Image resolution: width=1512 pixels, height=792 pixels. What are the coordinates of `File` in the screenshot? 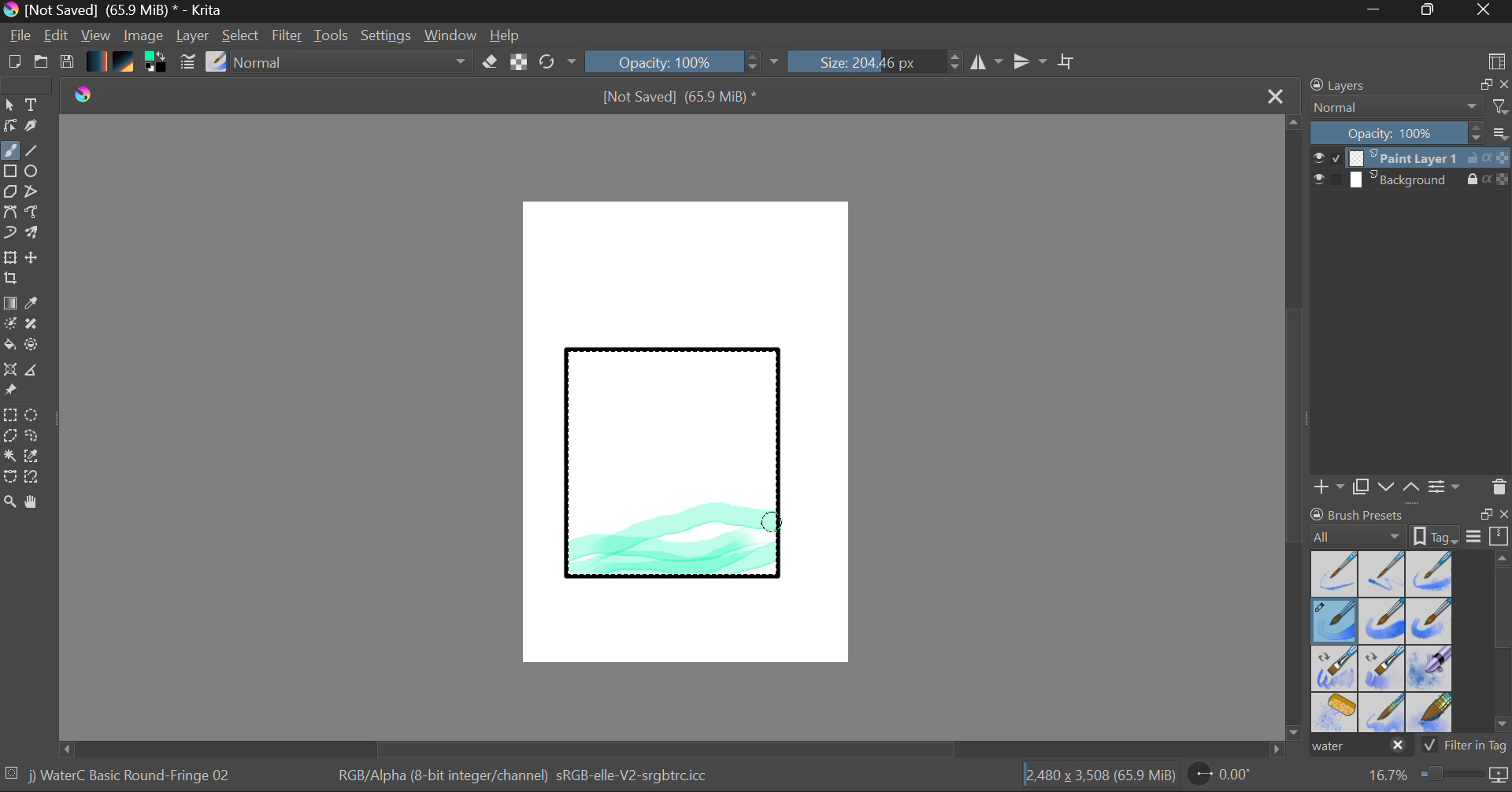 It's located at (20, 38).